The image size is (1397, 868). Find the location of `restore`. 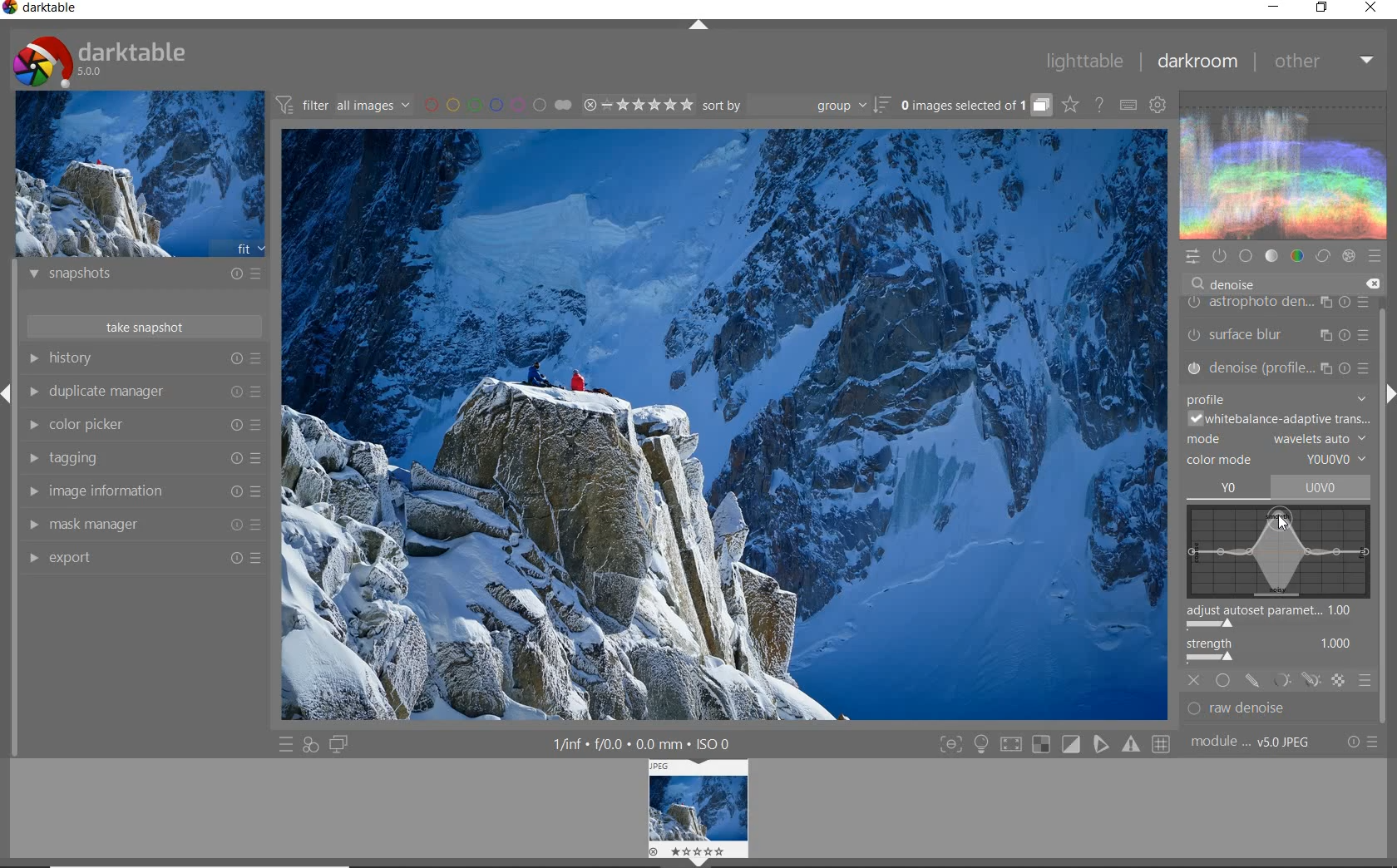

restore is located at coordinates (1324, 9).